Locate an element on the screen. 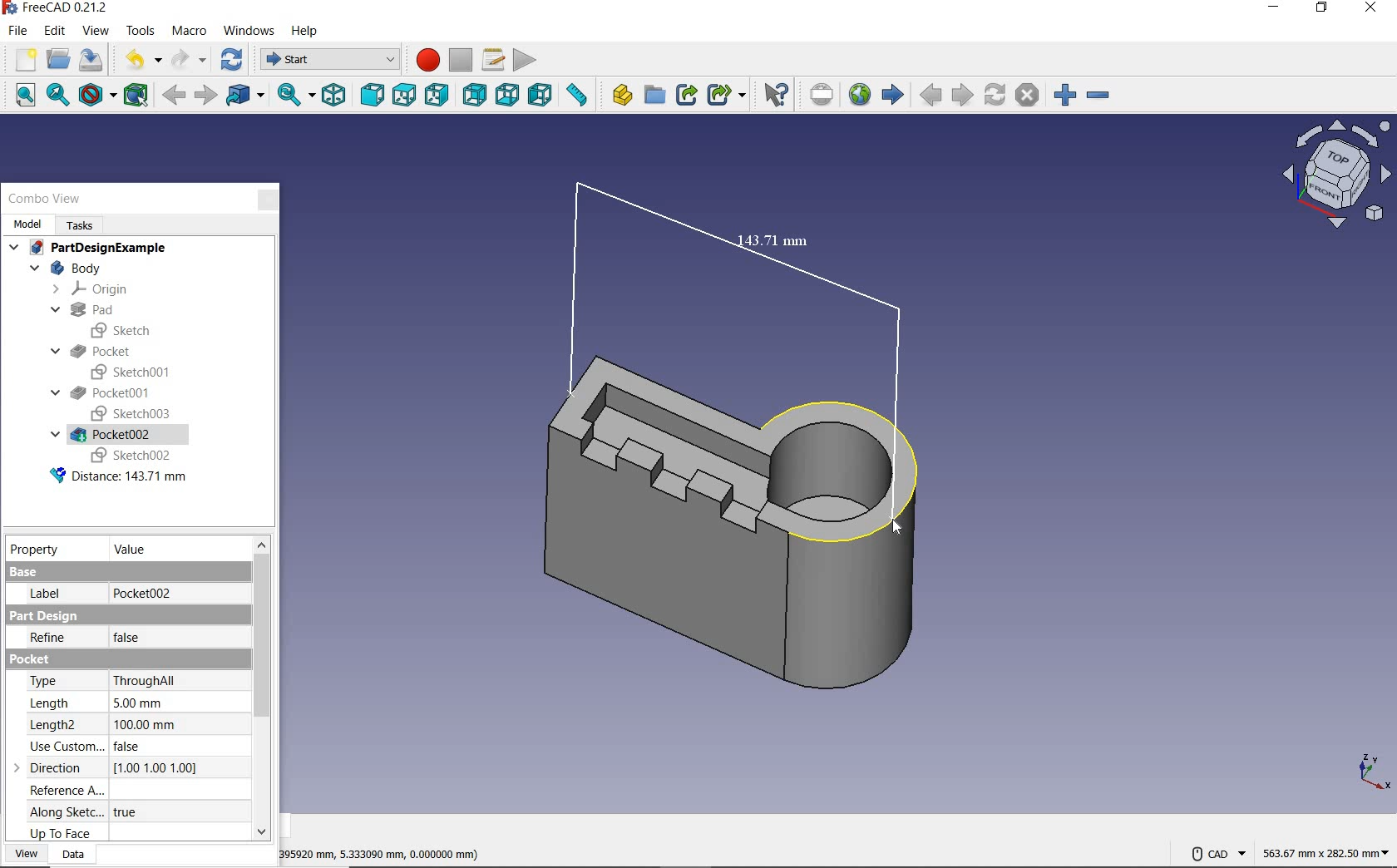 Image resolution: width=1397 pixels, height=868 pixels. use custom is located at coordinates (60, 746).